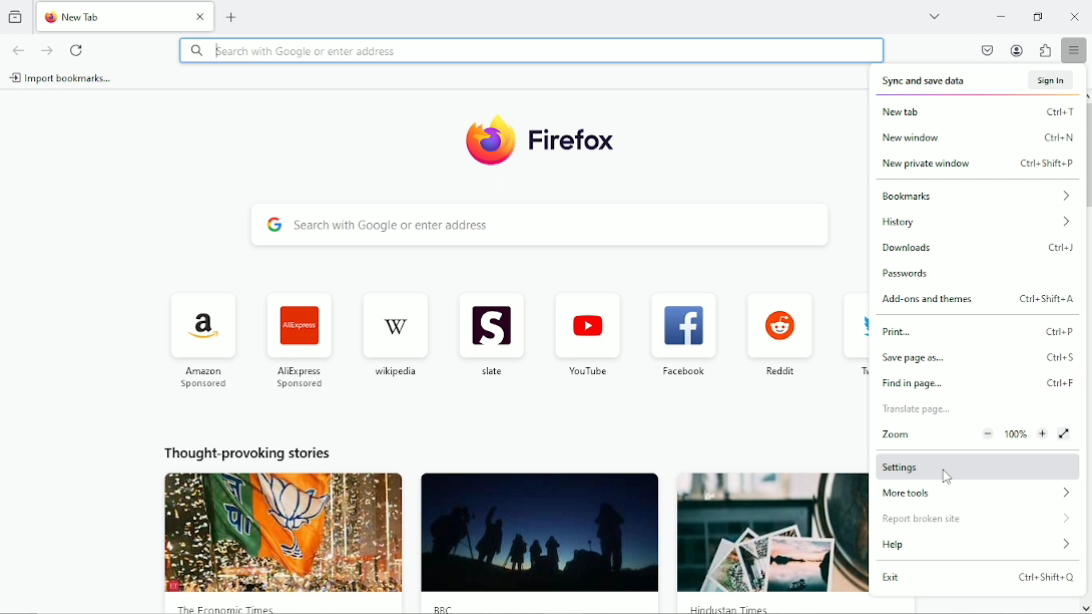  What do you see at coordinates (681, 334) in the screenshot?
I see `facebook` at bounding box center [681, 334].